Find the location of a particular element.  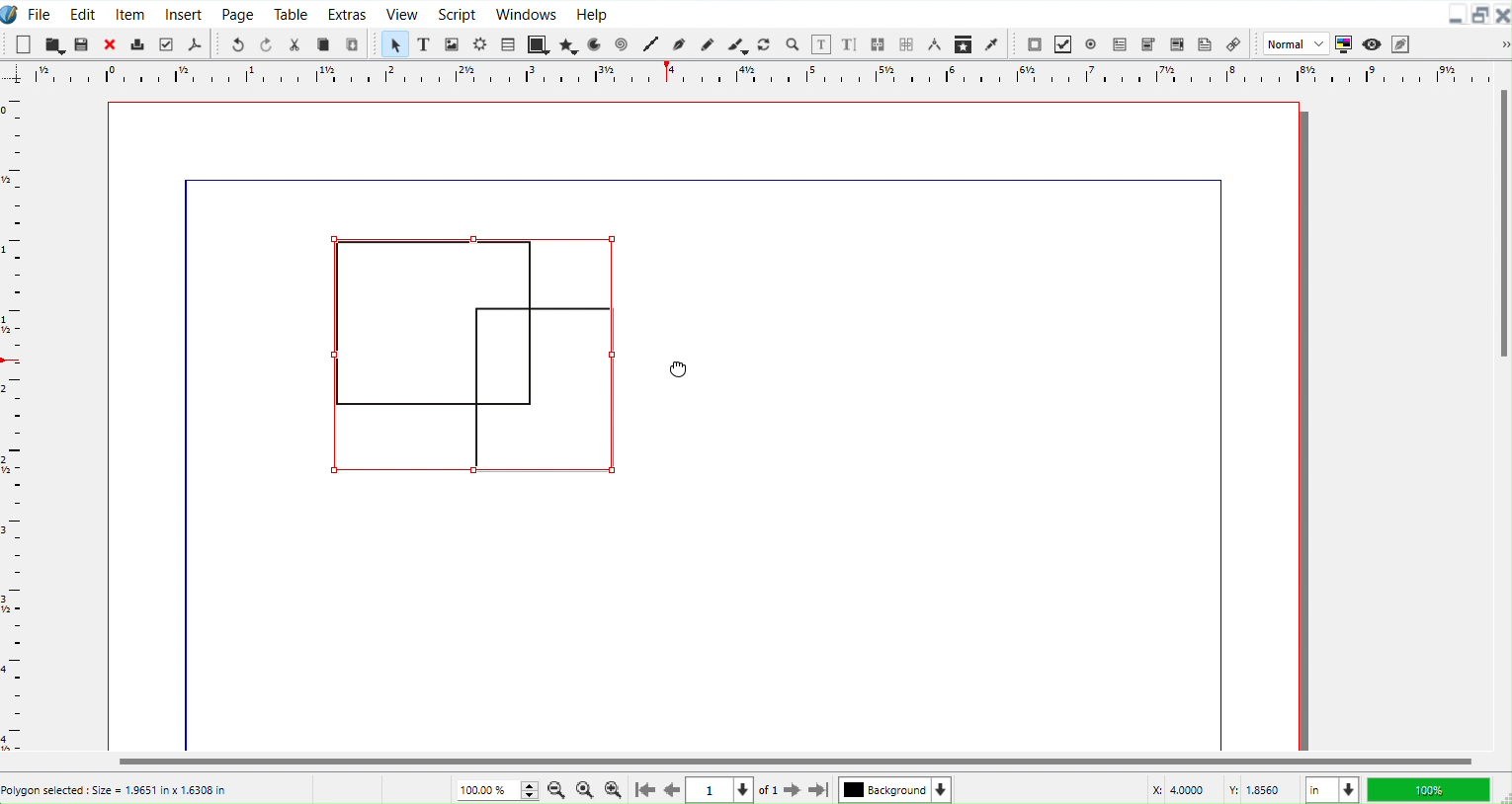

Edit in Preview mode is located at coordinates (1400, 42).